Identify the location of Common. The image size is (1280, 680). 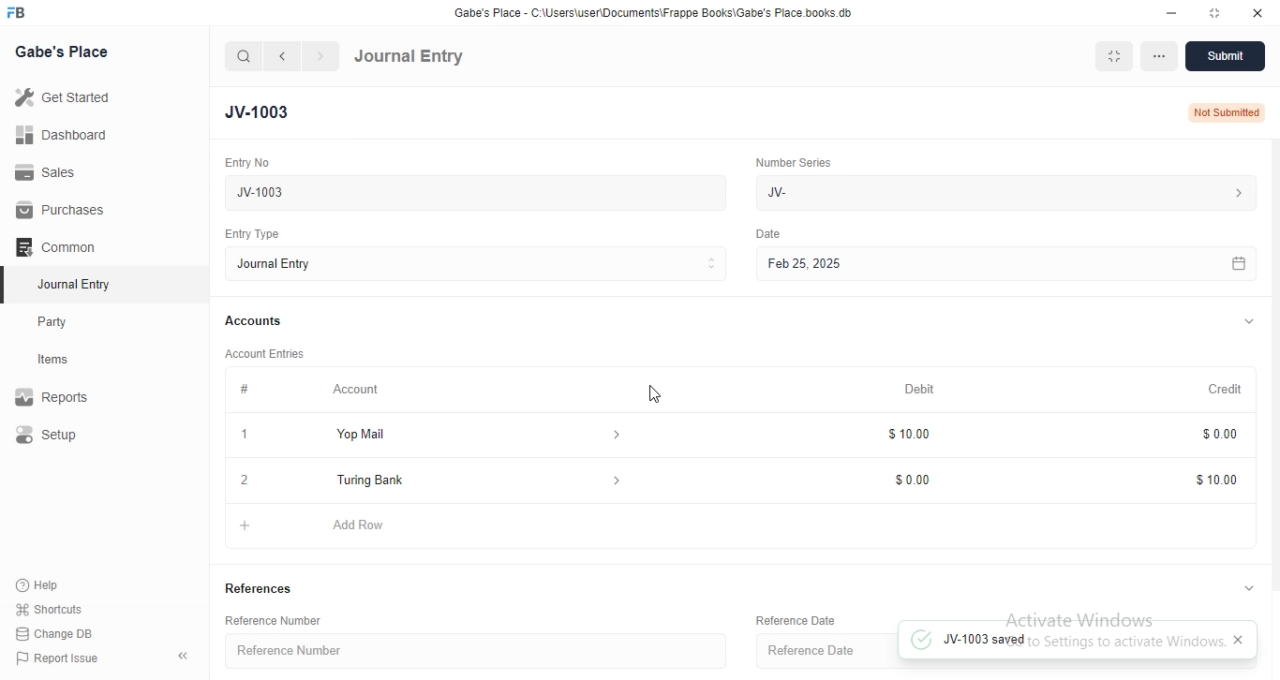
(60, 247).